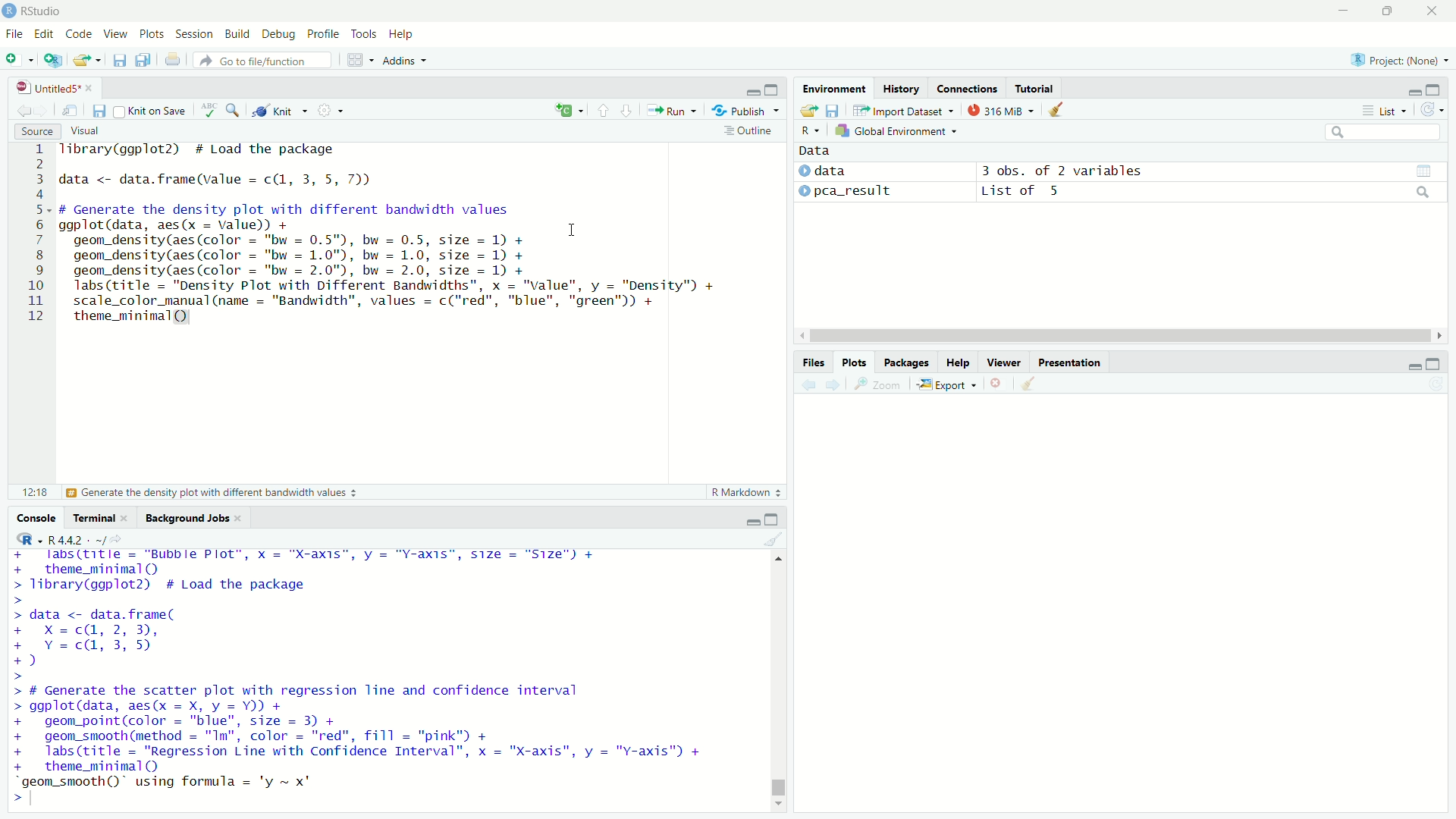 The width and height of the screenshot is (1456, 819). What do you see at coordinates (193, 33) in the screenshot?
I see `Session` at bounding box center [193, 33].